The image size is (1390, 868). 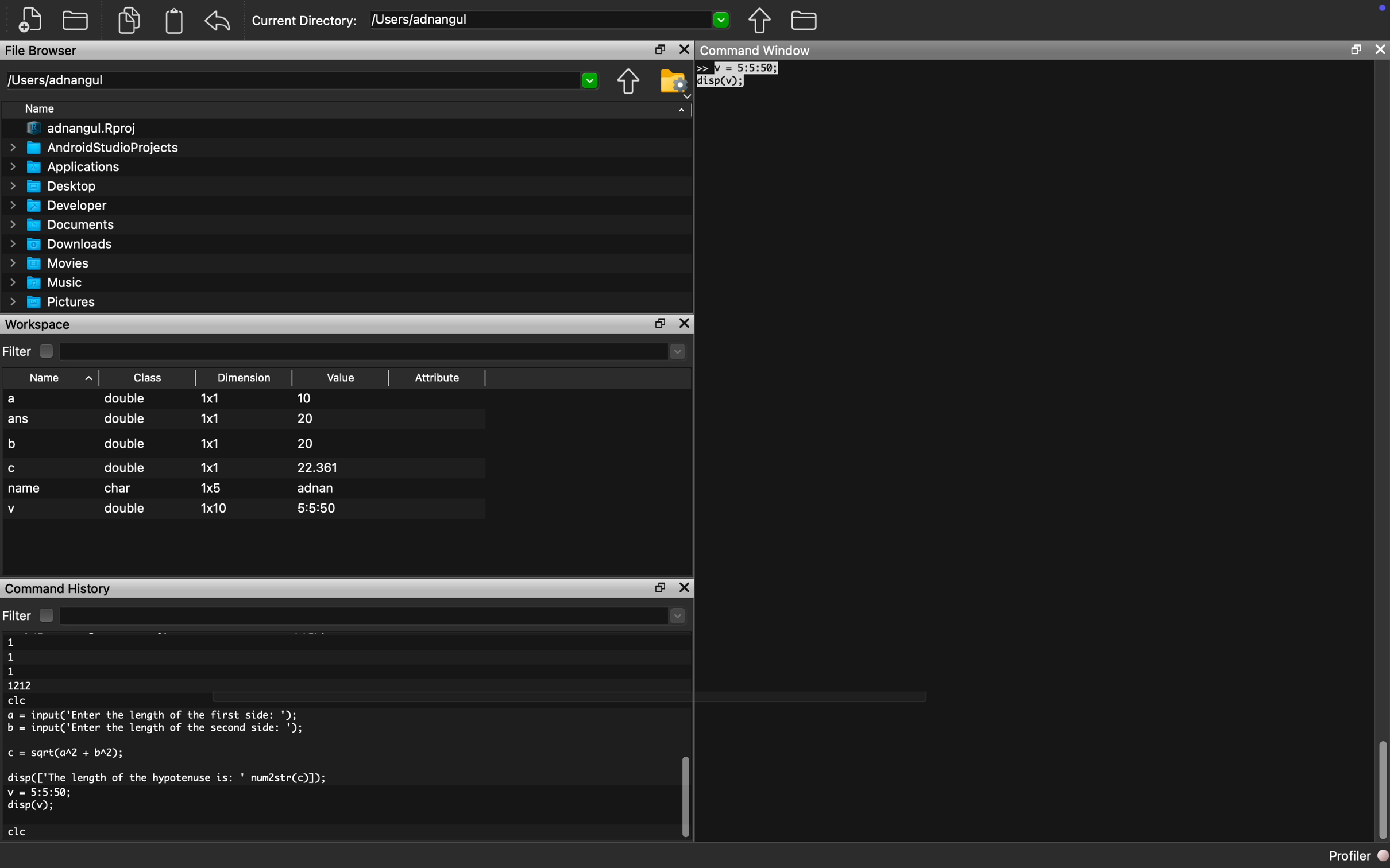 I want to click on Back, so click(x=219, y=21).